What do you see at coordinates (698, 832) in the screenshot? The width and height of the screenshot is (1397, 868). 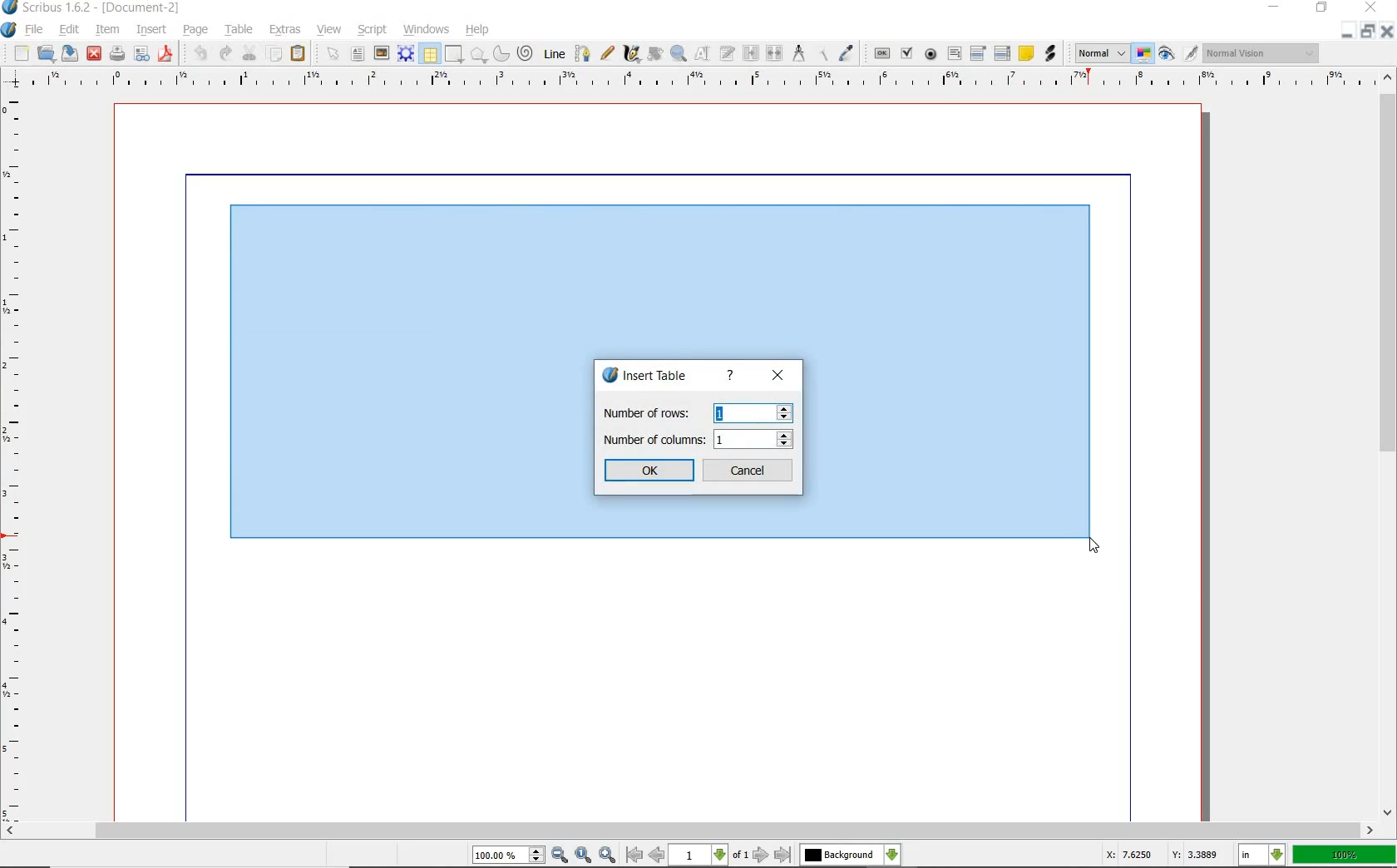 I see `scrollbar` at bounding box center [698, 832].